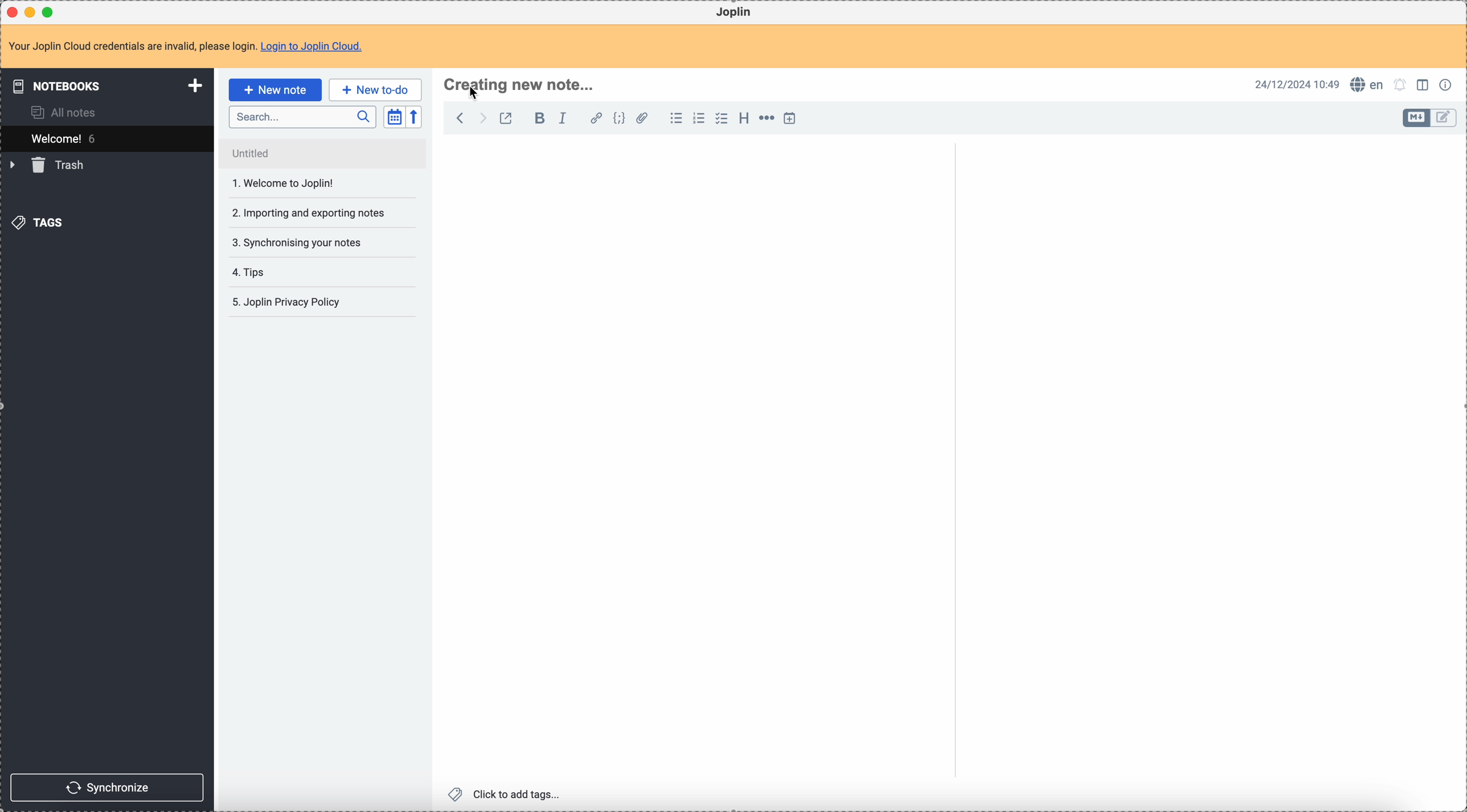  What do you see at coordinates (37, 223) in the screenshot?
I see `tags` at bounding box center [37, 223].